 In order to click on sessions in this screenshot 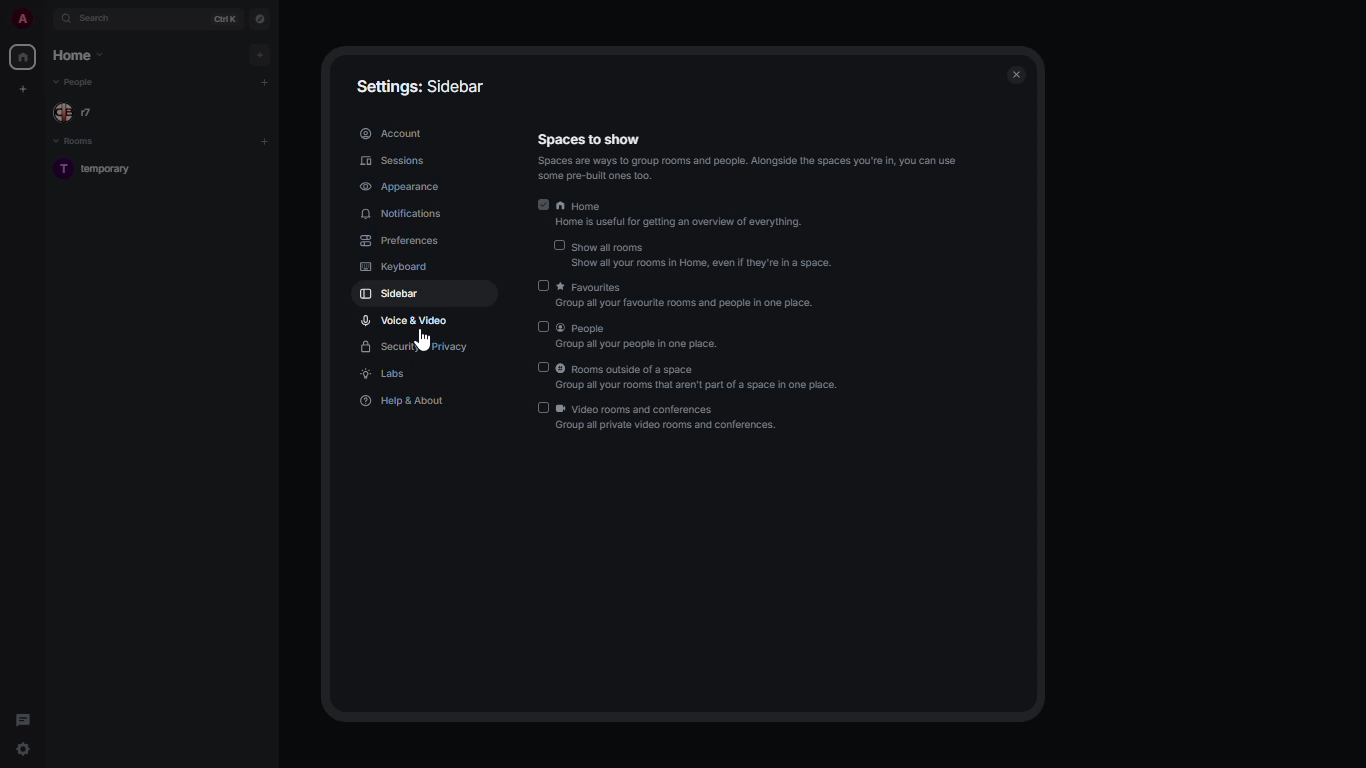, I will do `click(395, 161)`.